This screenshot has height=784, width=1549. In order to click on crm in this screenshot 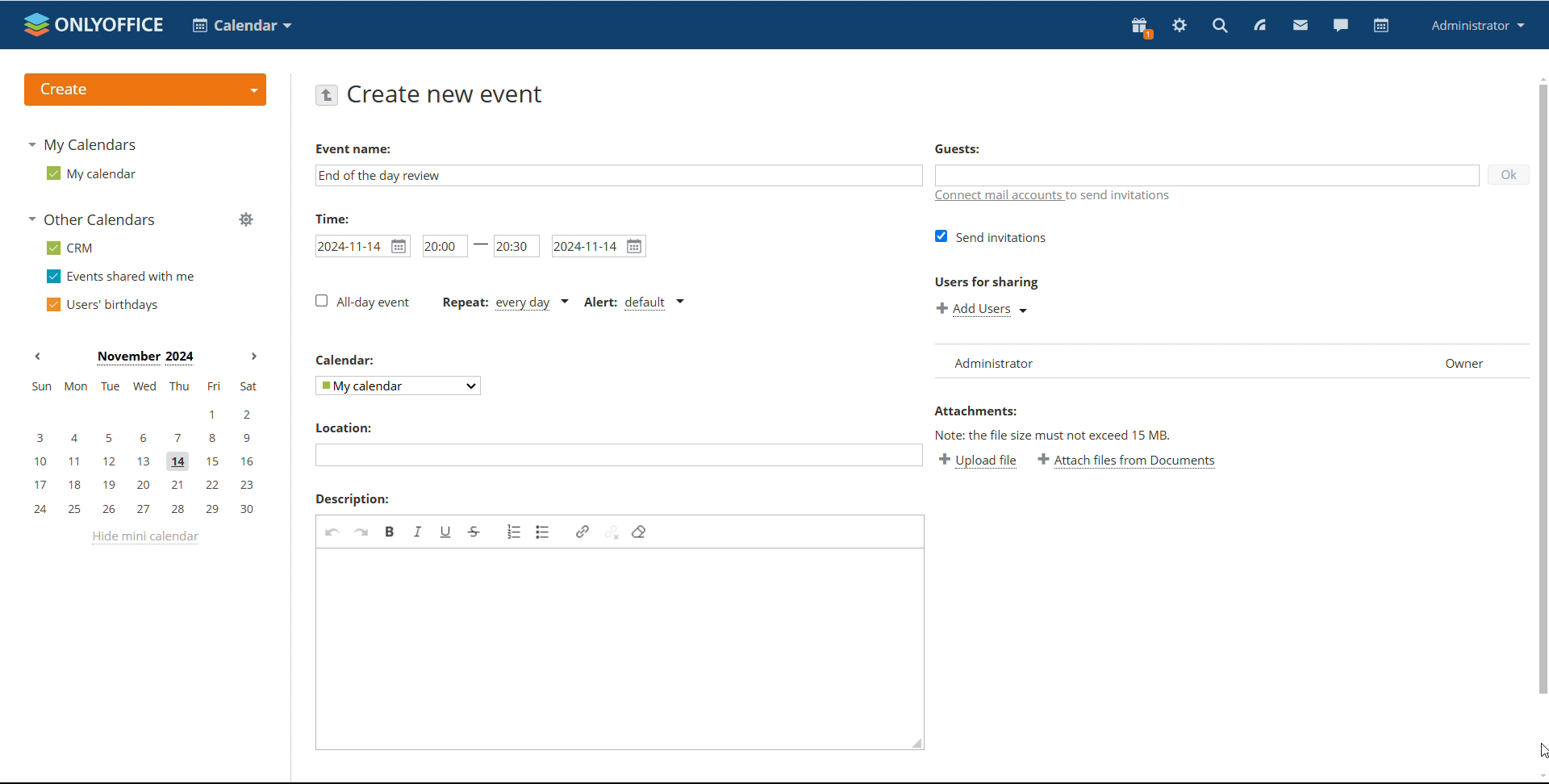, I will do `click(71, 248)`.